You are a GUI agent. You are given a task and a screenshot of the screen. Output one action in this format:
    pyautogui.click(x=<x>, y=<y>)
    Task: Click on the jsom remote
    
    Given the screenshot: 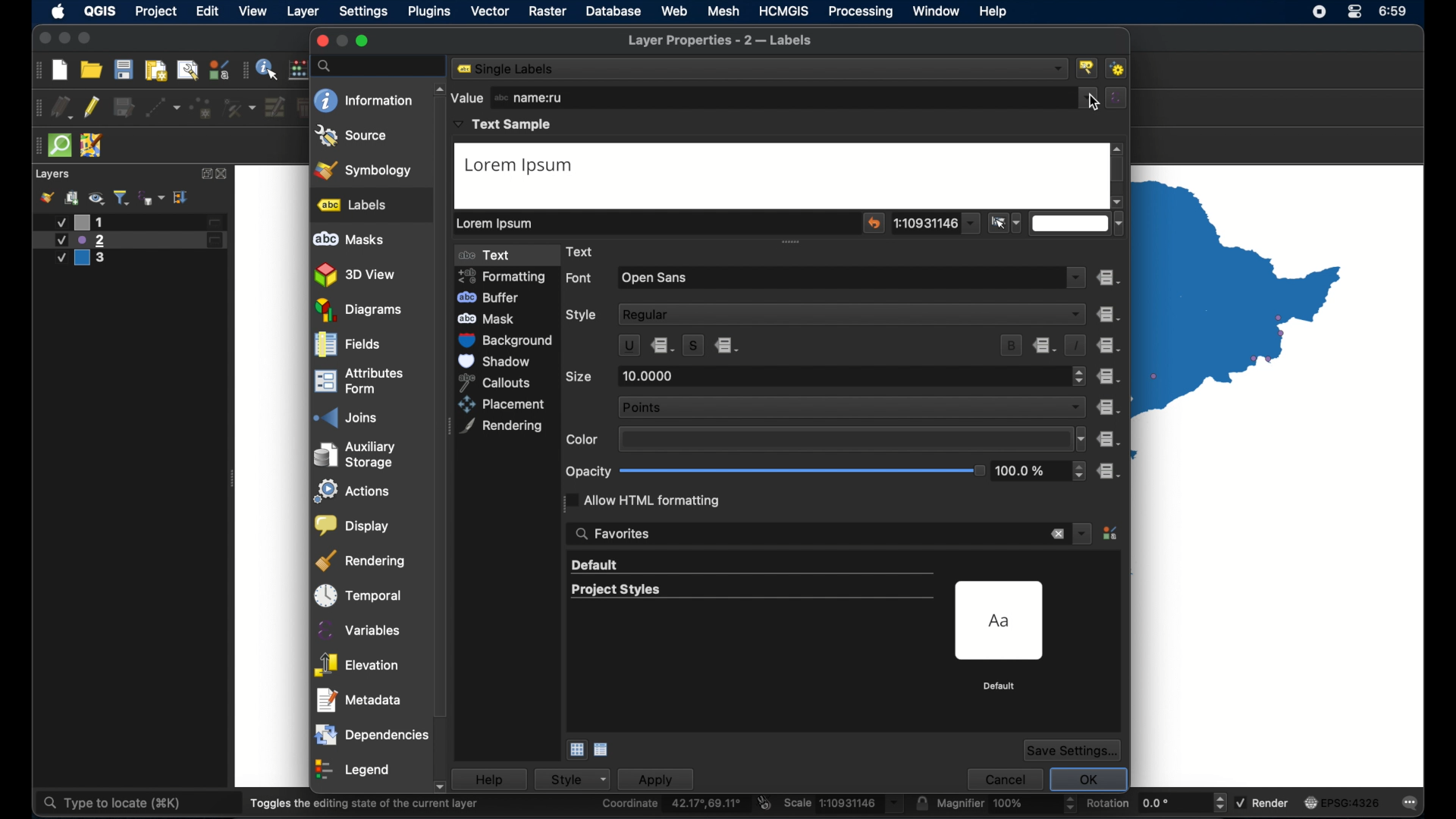 What is the action you would take?
    pyautogui.click(x=92, y=145)
    